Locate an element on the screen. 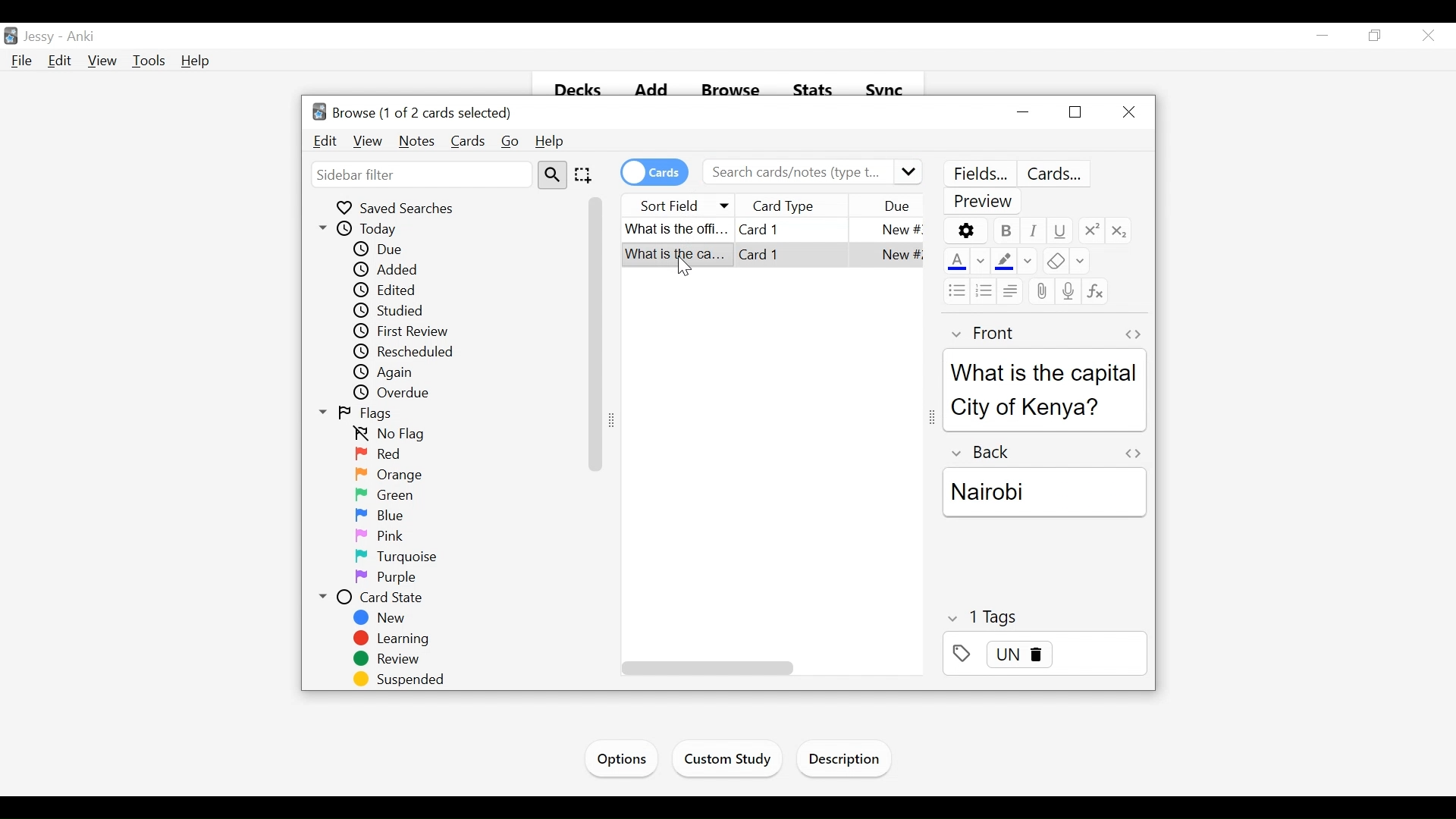 The image size is (1456, 819). Cursor is located at coordinates (1427, 35).